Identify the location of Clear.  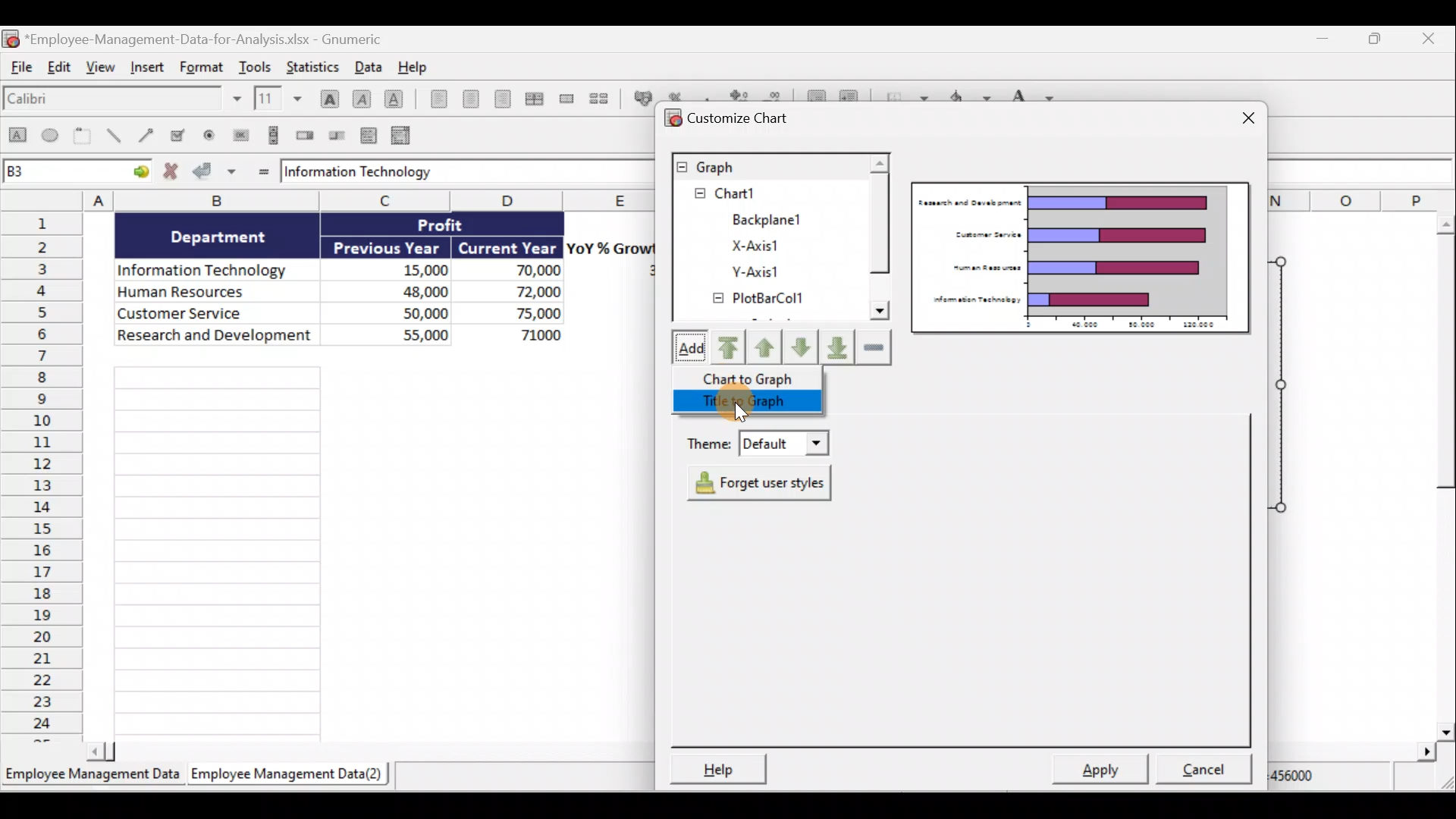
(877, 349).